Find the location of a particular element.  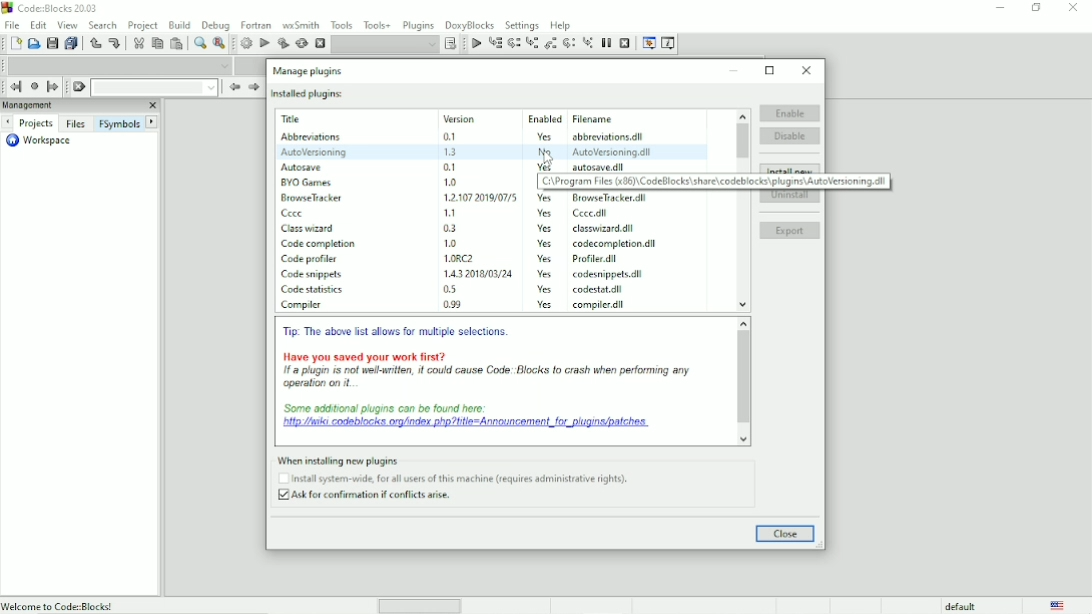

version  is located at coordinates (472, 272).